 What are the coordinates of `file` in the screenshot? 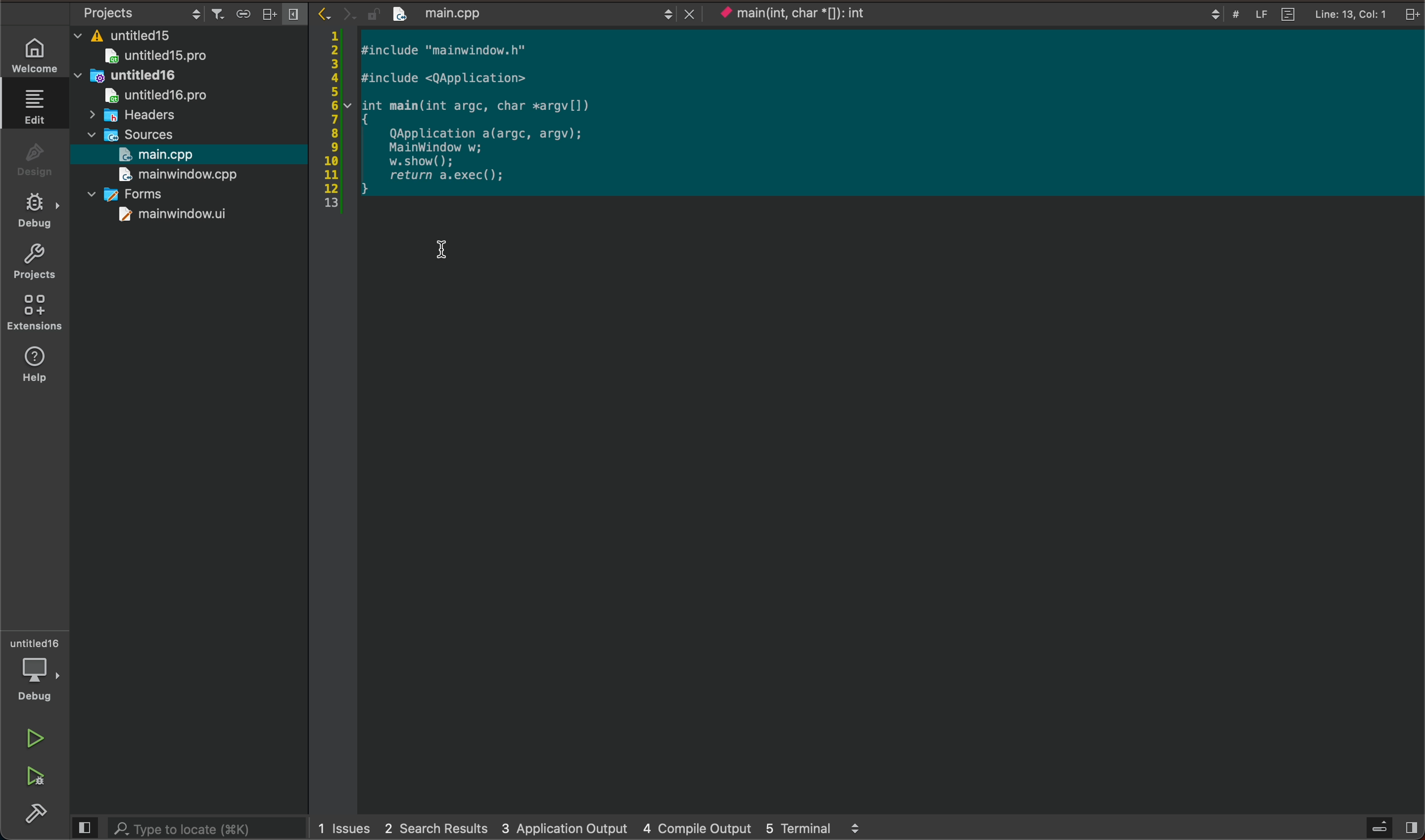 It's located at (483, 12).